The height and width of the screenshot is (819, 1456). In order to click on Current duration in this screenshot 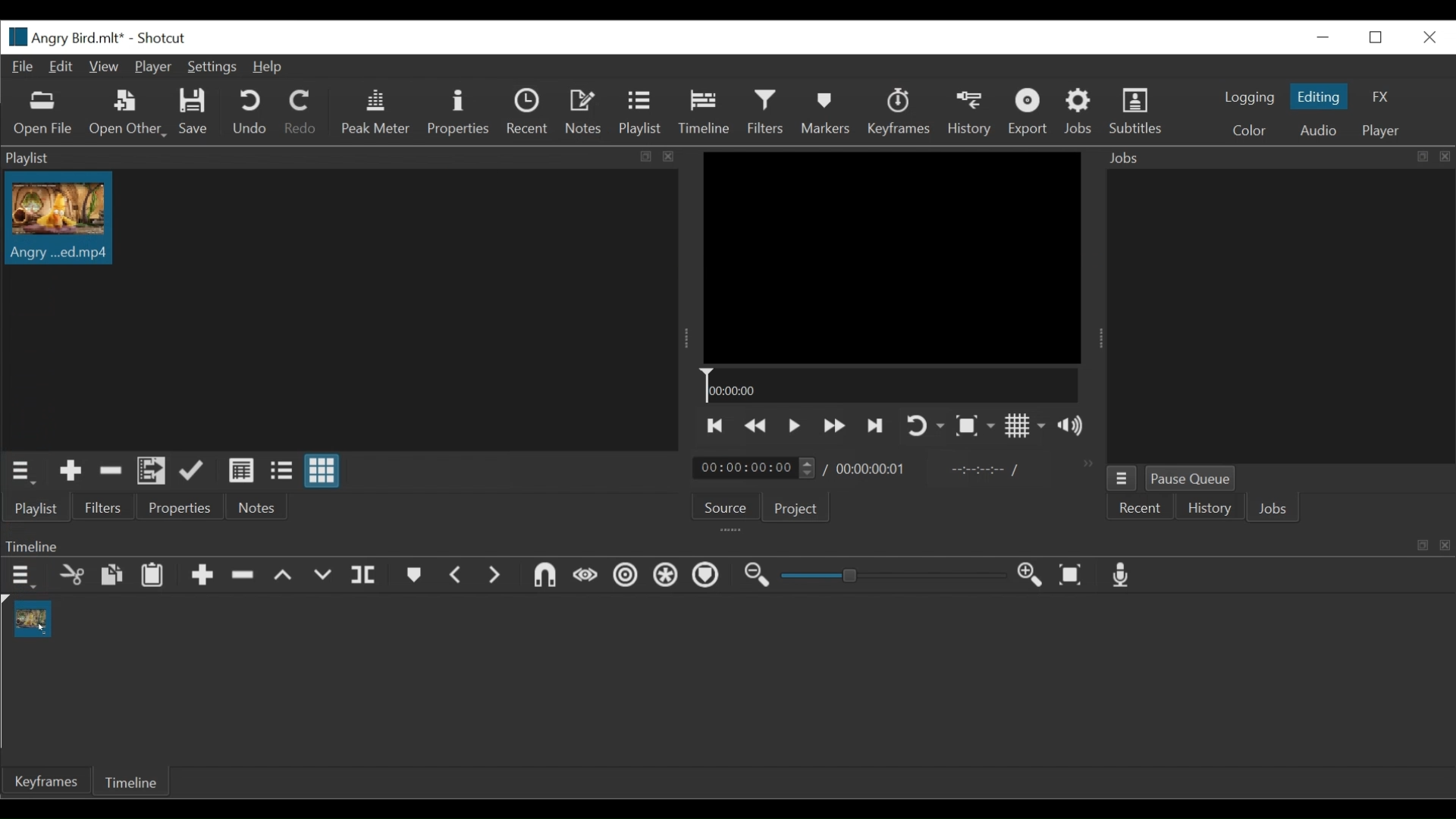, I will do `click(753, 468)`.